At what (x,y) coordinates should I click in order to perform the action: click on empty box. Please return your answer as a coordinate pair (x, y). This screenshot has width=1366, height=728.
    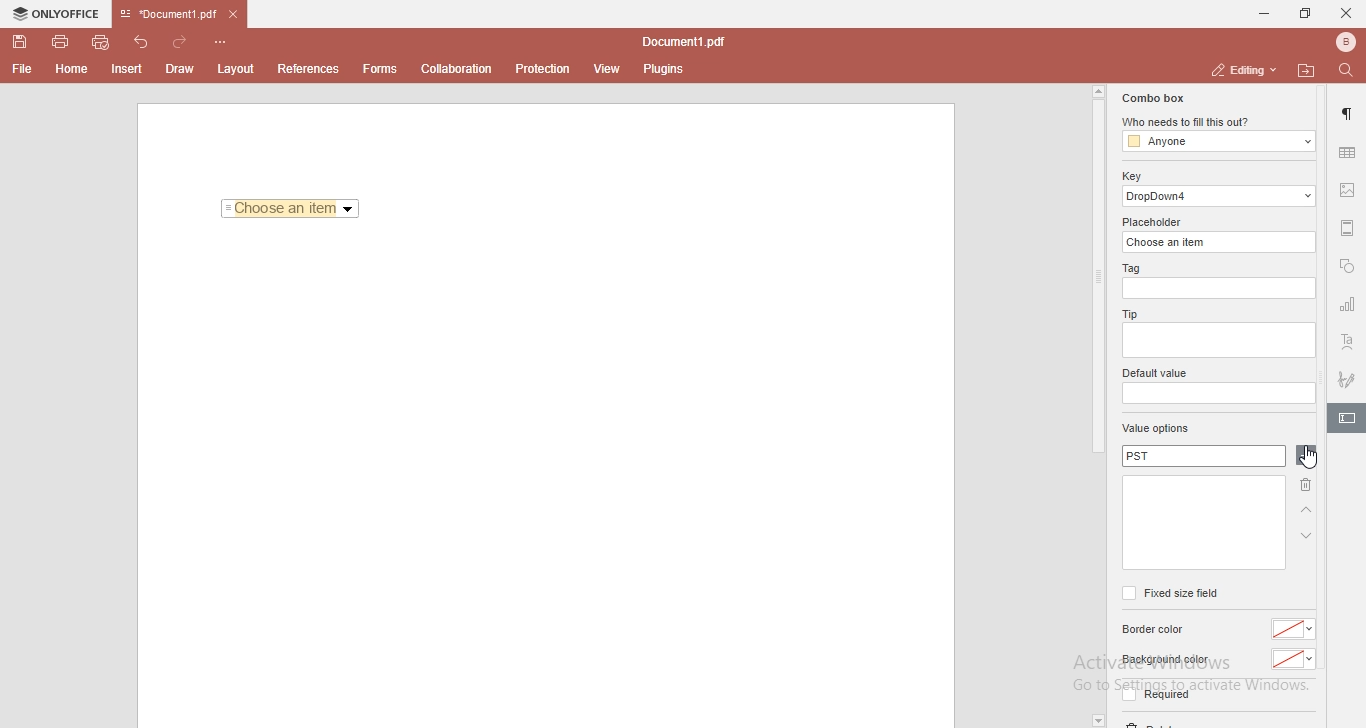
    Looking at the image, I should click on (1217, 342).